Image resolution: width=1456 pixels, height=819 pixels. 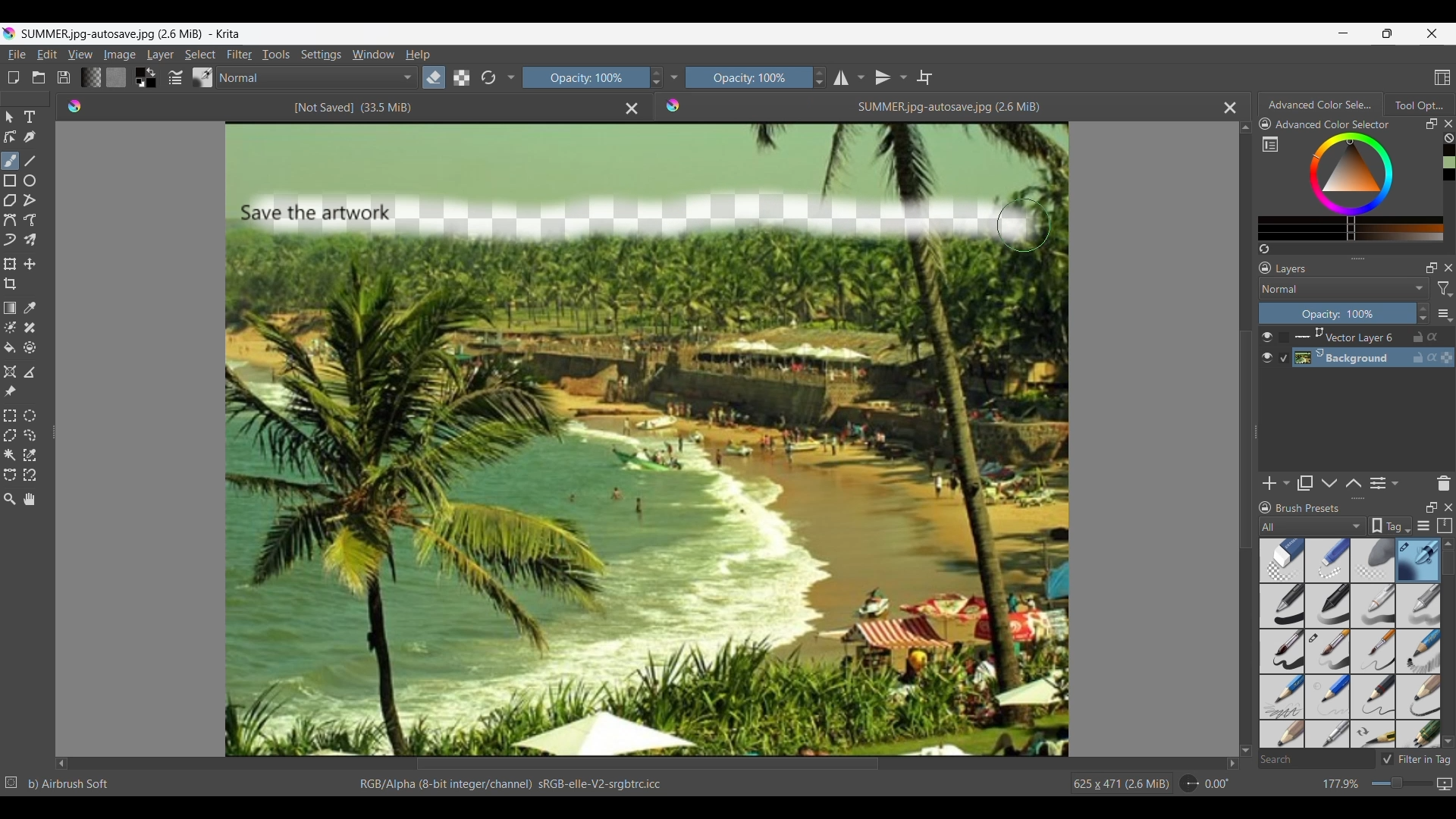 I want to click on Draw a gradient, so click(x=11, y=307).